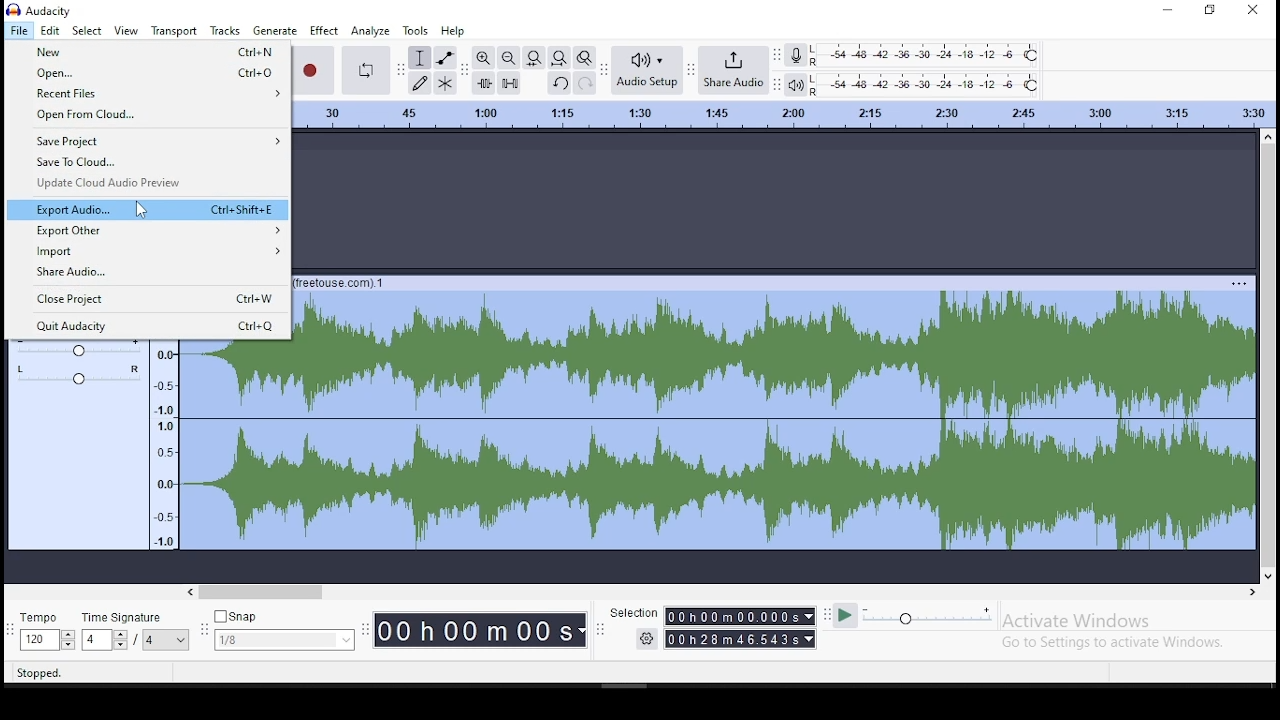  What do you see at coordinates (480, 632) in the screenshot?
I see `00h00M00s` at bounding box center [480, 632].